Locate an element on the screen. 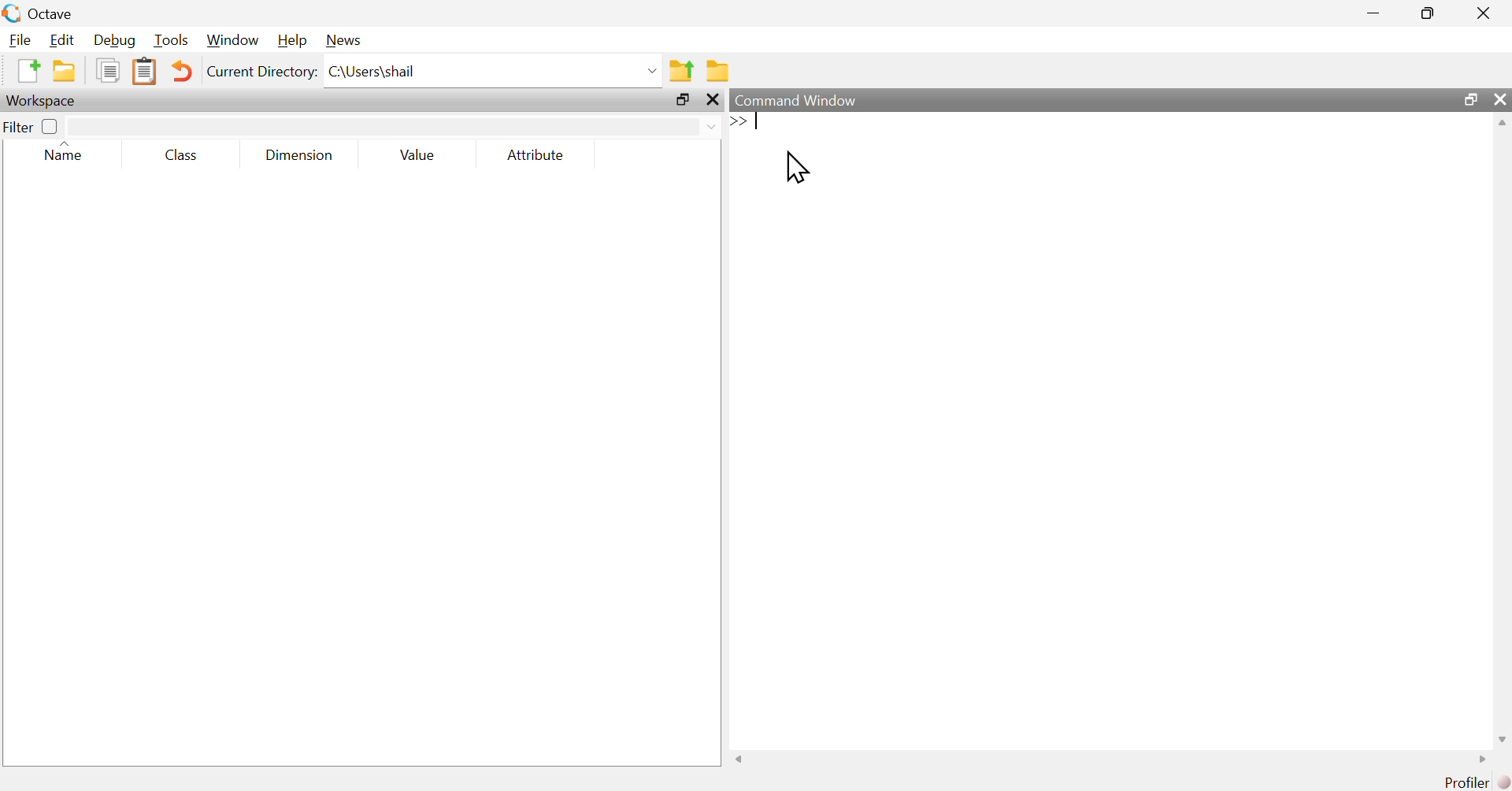  Tools is located at coordinates (169, 41).